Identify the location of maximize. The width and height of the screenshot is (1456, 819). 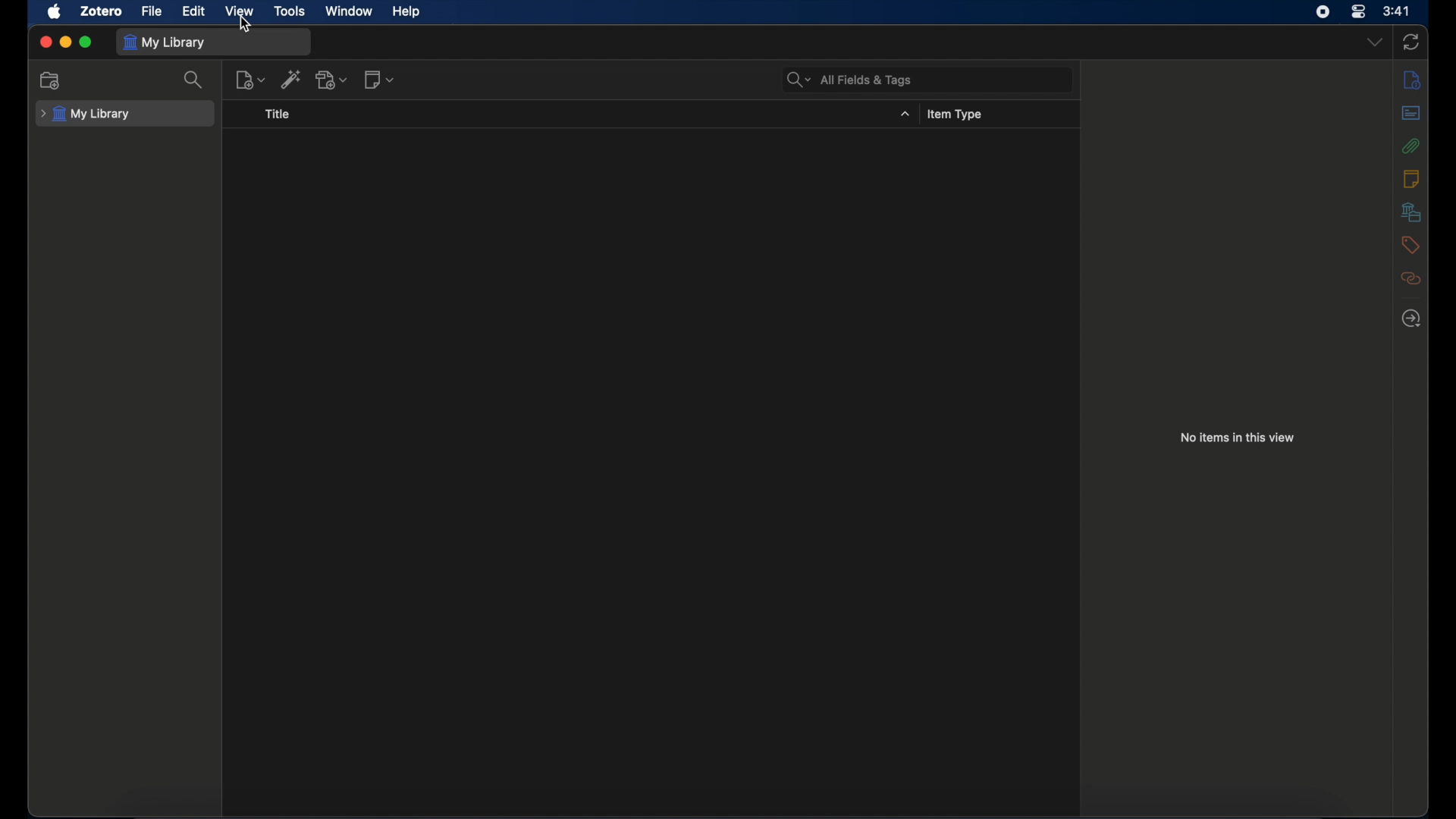
(86, 42).